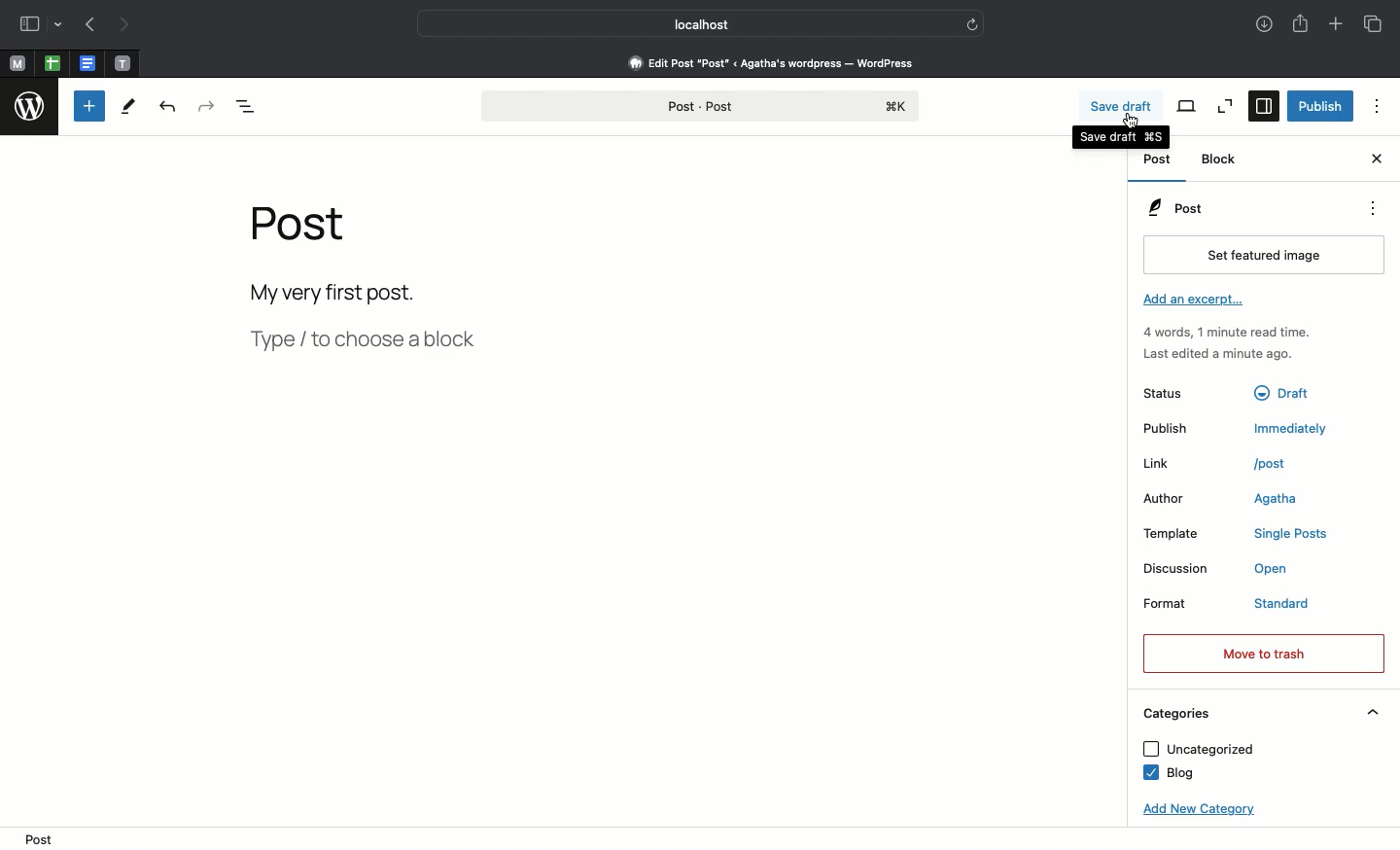 The width and height of the screenshot is (1400, 850). Describe the element at coordinates (1179, 429) in the screenshot. I see `Publish` at that location.